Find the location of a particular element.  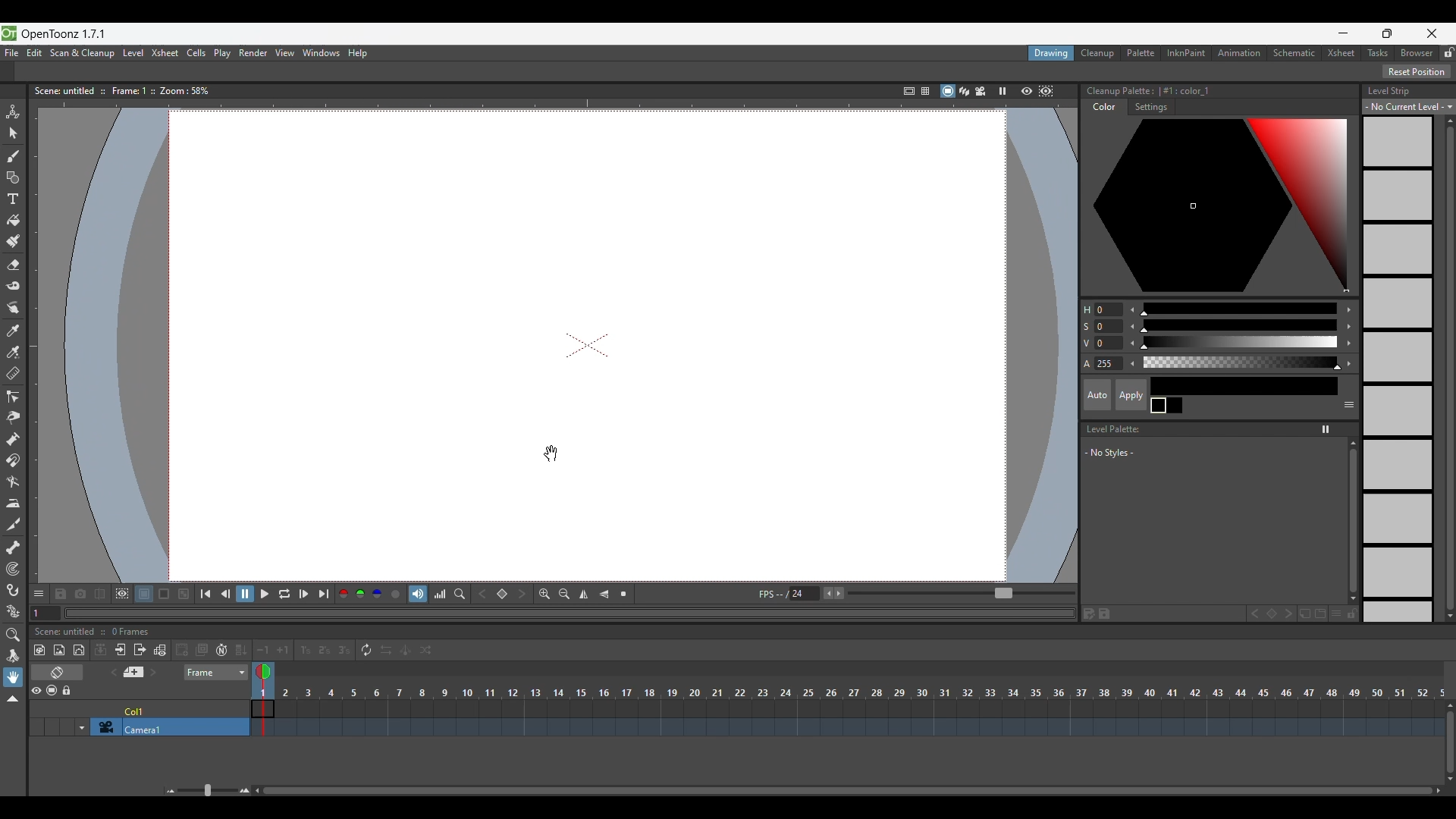

Auto input cell number is located at coordinates (221, 650).